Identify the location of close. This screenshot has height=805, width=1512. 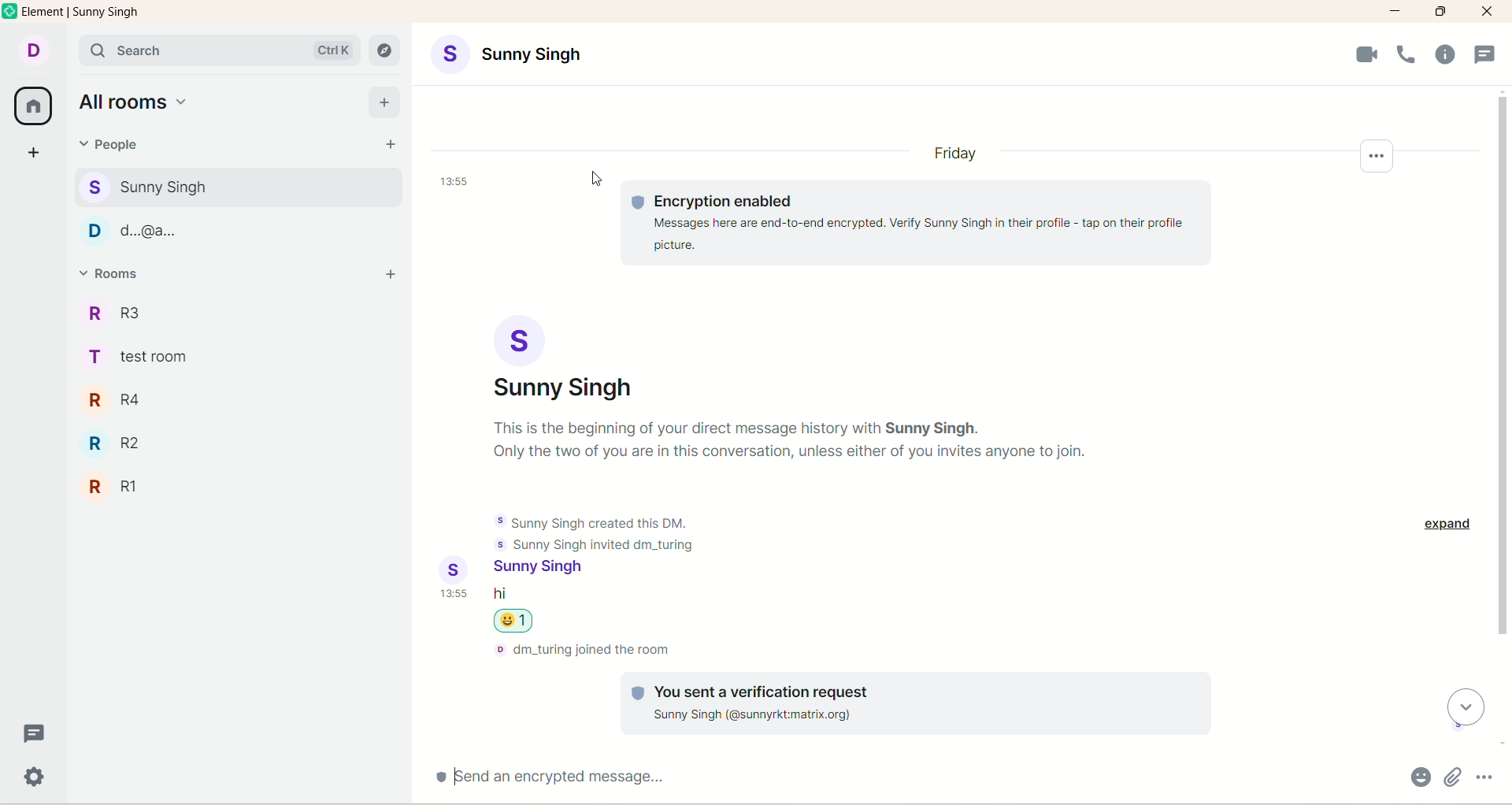
(1488, 12).